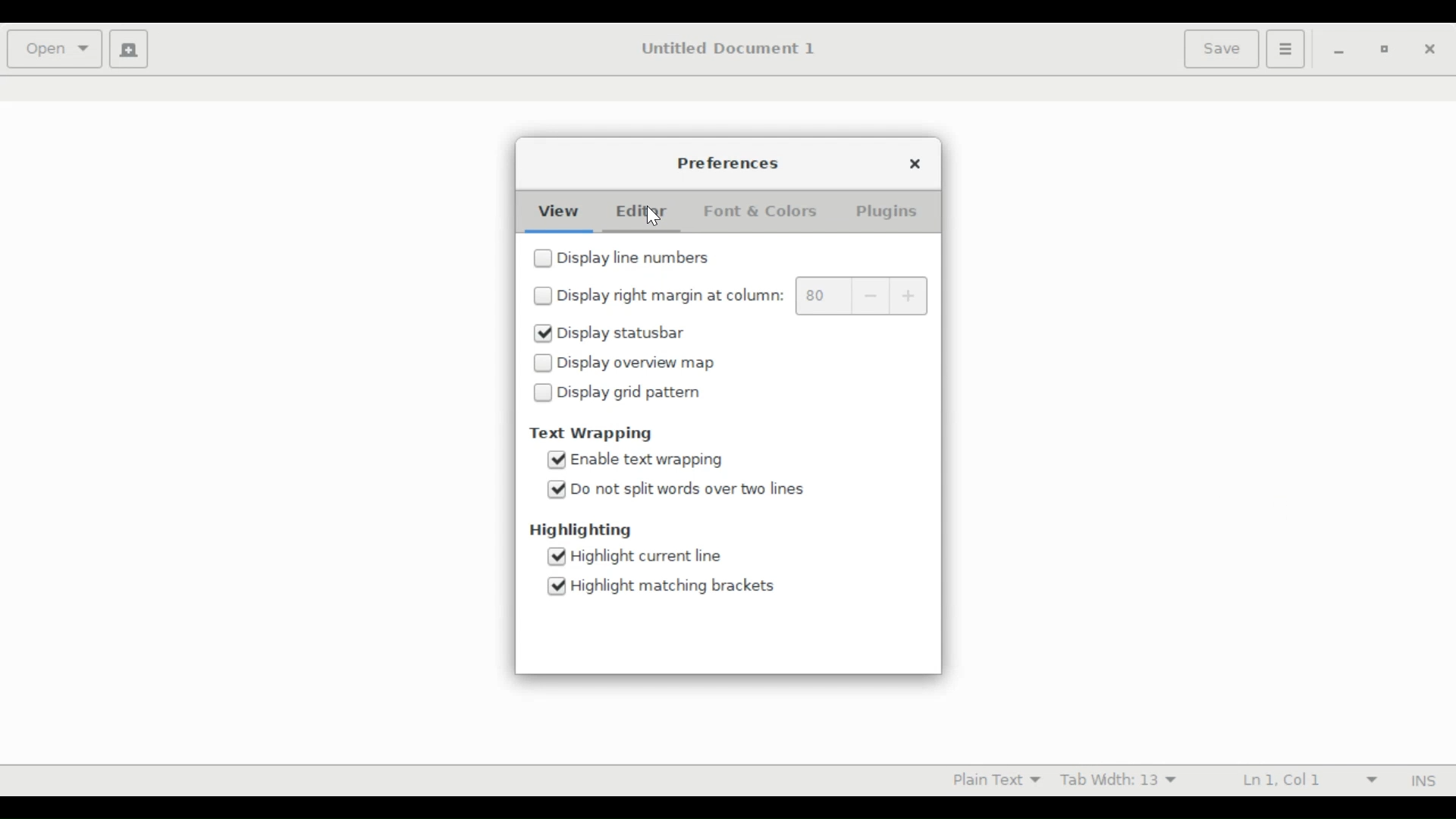  I want to click on Selected, so click(543, 333).